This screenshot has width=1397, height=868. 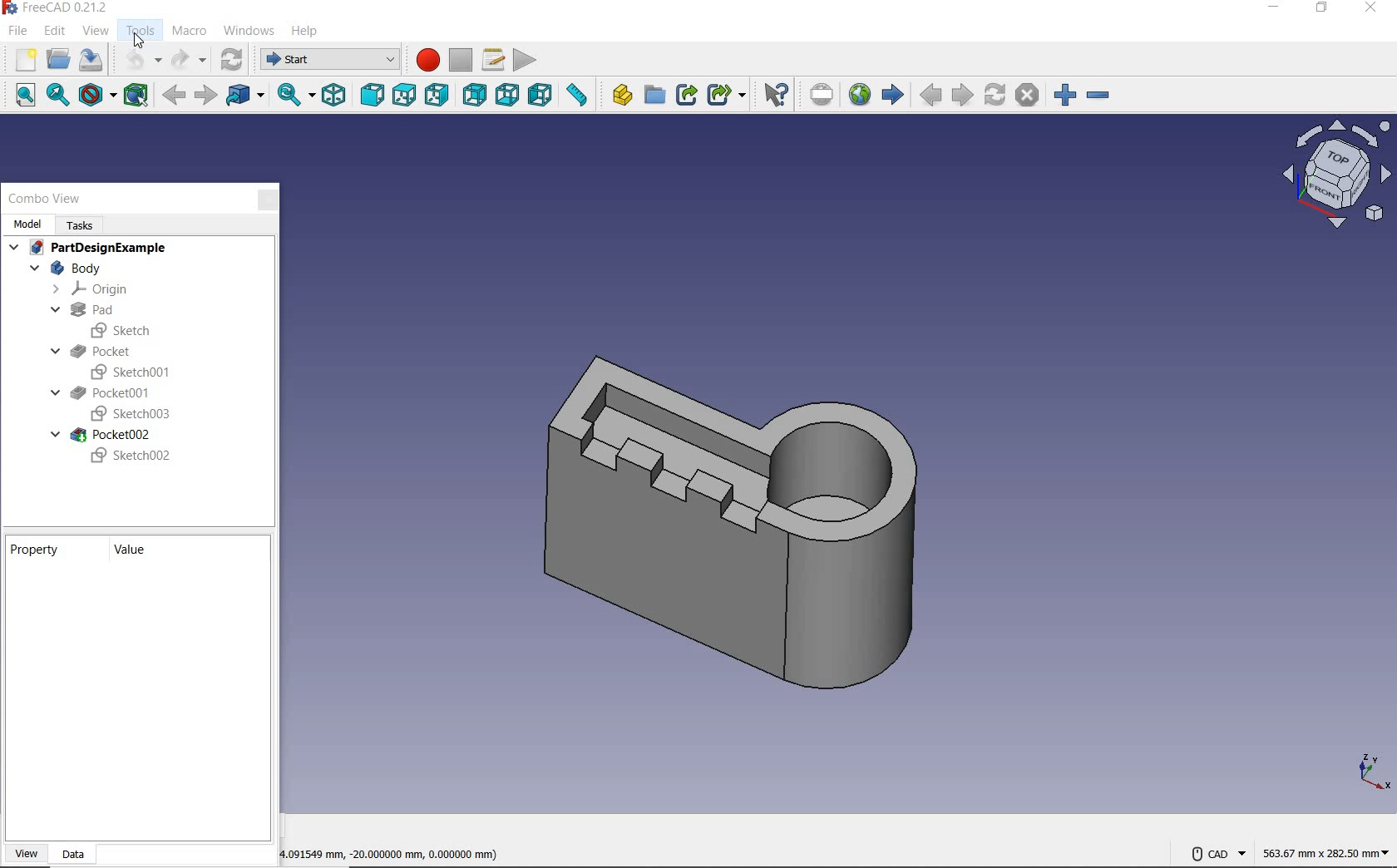 What do you see at coordinates (1370, 772) in the screenshot?
I see `x, y, z axis` at bounding box center [1370, 772].